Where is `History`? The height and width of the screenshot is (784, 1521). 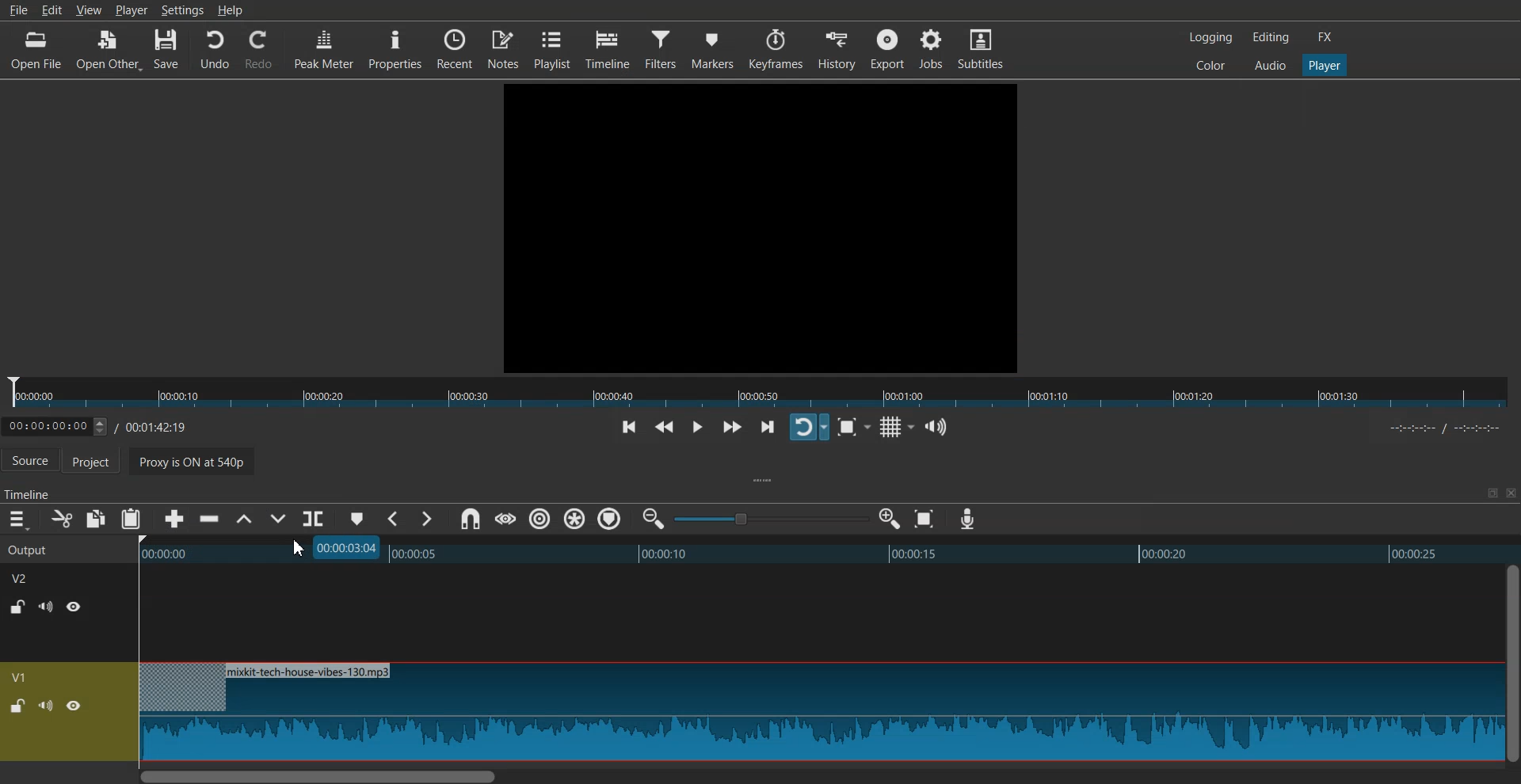
History is located at coordinates (838, 49).